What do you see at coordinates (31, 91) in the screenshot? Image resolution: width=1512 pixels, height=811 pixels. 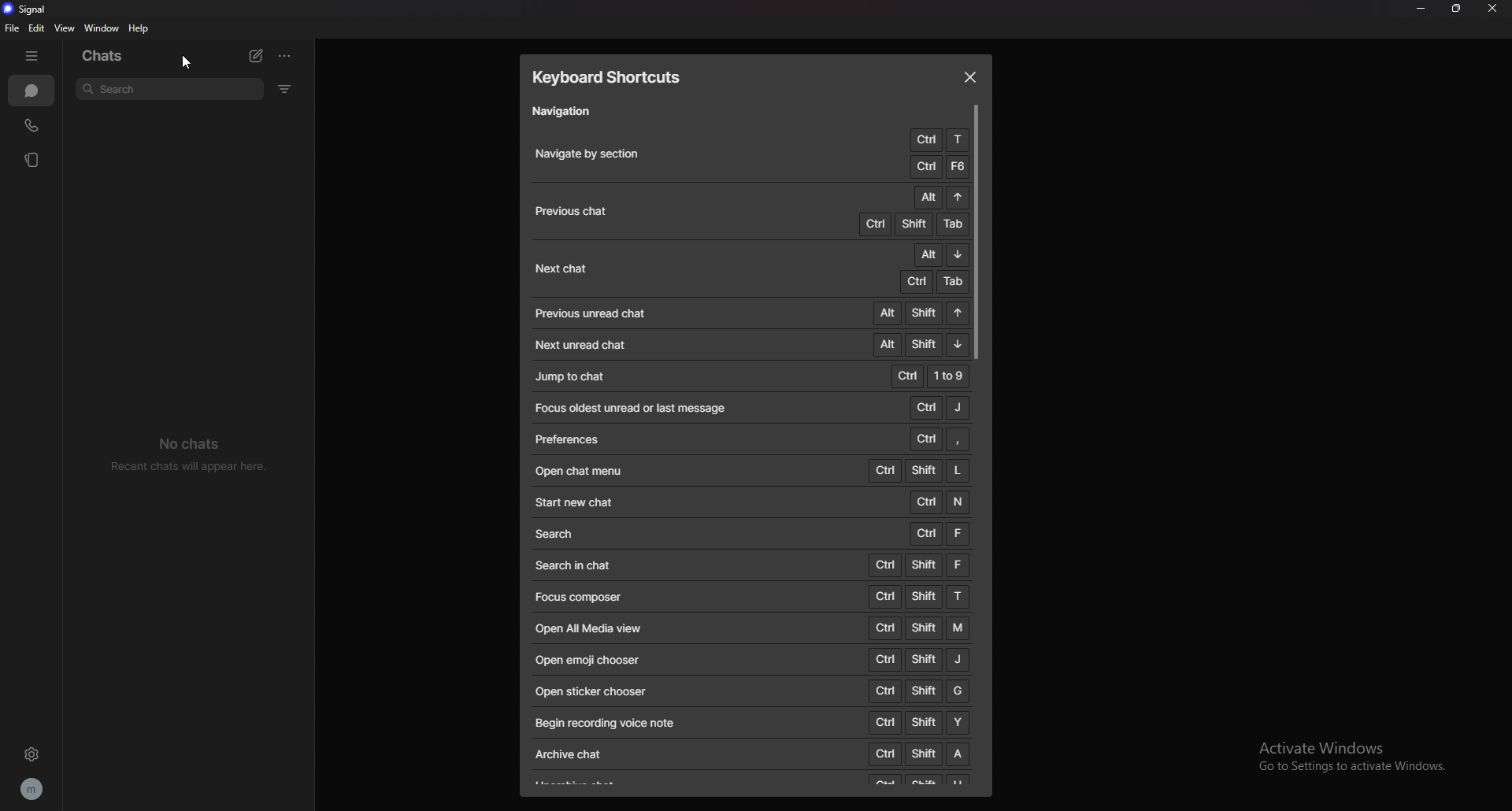 I see `chats` at bounding box center [31, 91].